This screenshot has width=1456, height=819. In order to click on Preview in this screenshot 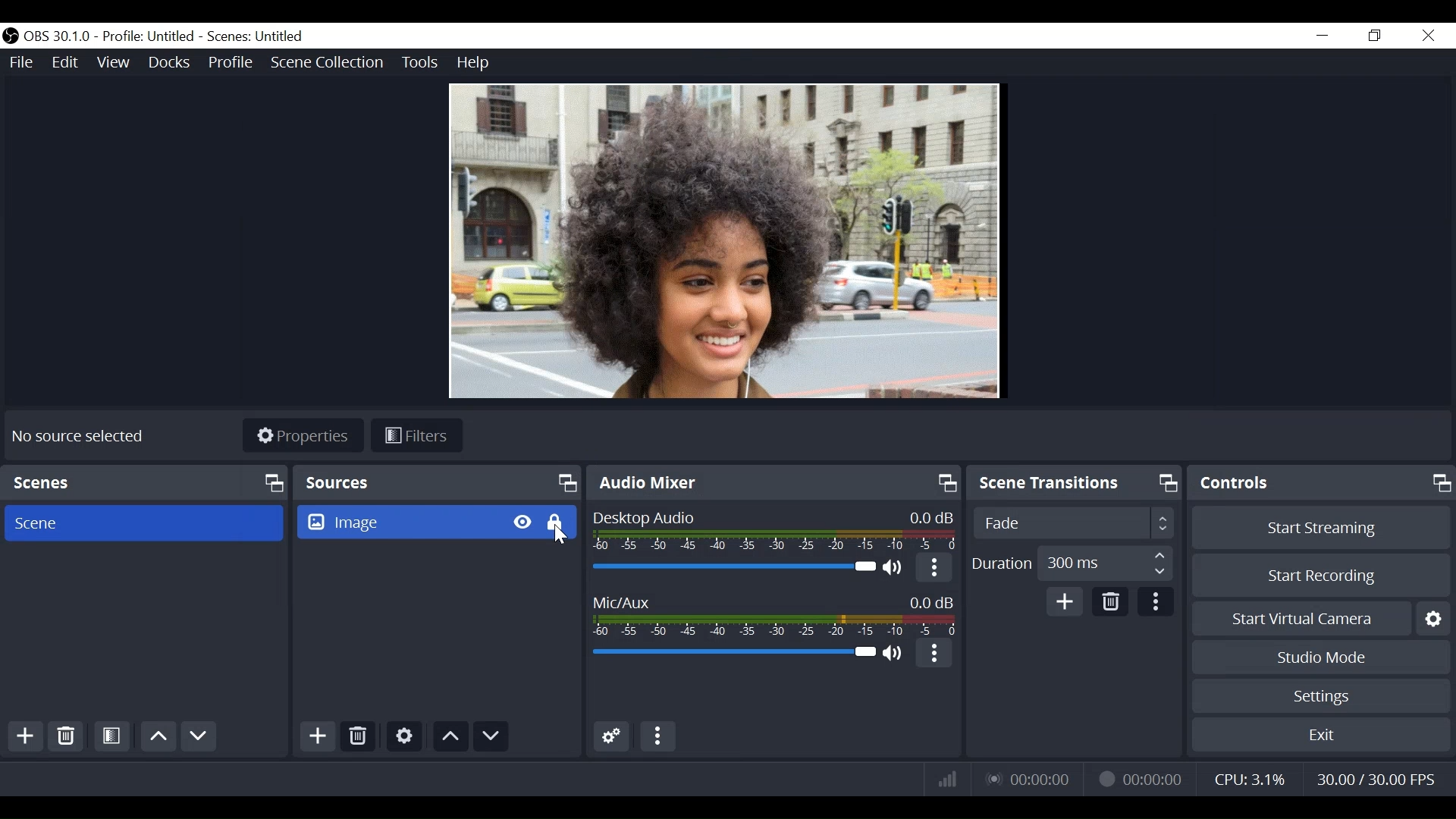, I will do `click(723, 243)`.